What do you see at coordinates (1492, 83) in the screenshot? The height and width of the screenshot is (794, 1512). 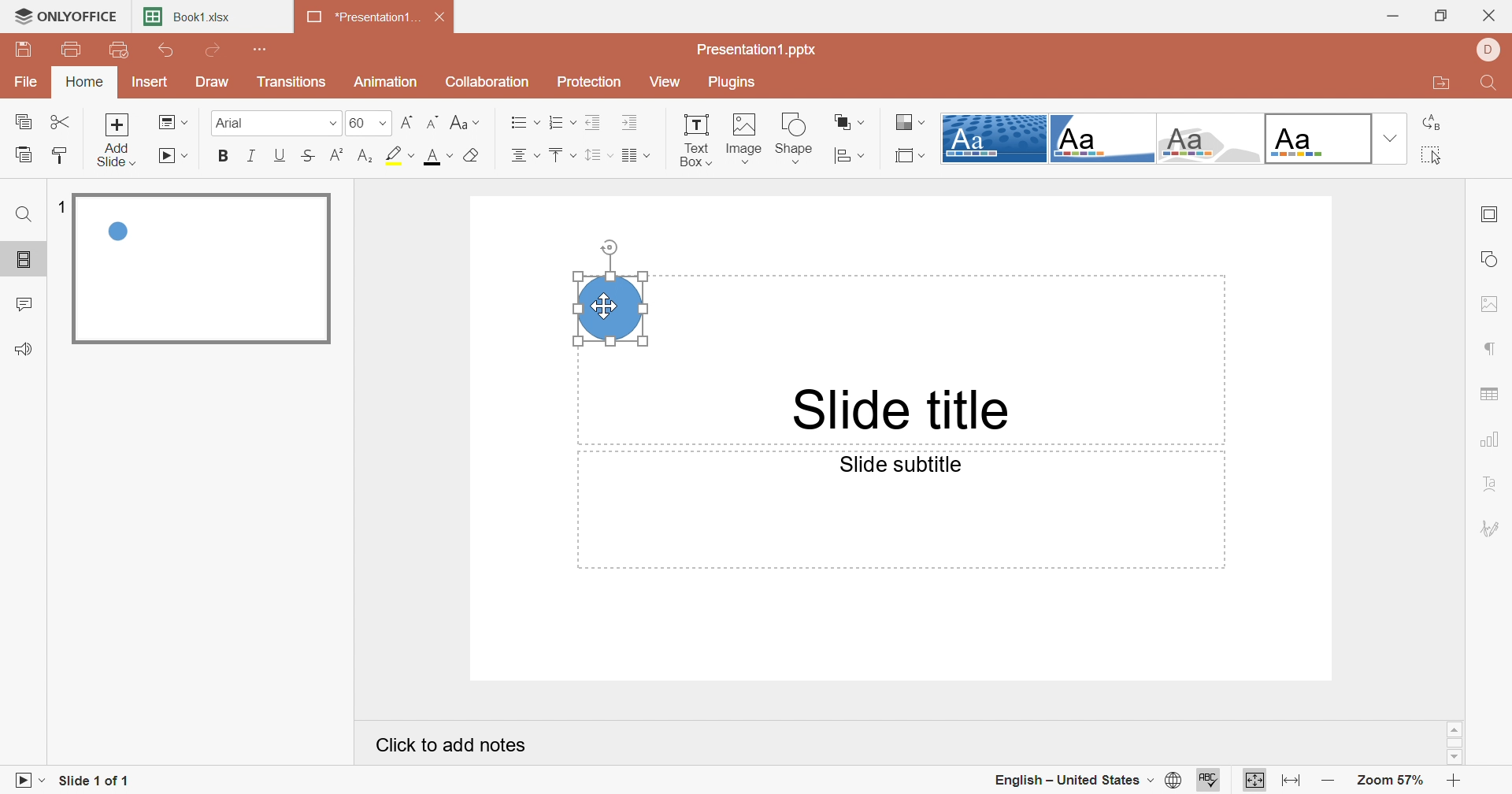 I see `Find` at bounding box center [1492, 83].